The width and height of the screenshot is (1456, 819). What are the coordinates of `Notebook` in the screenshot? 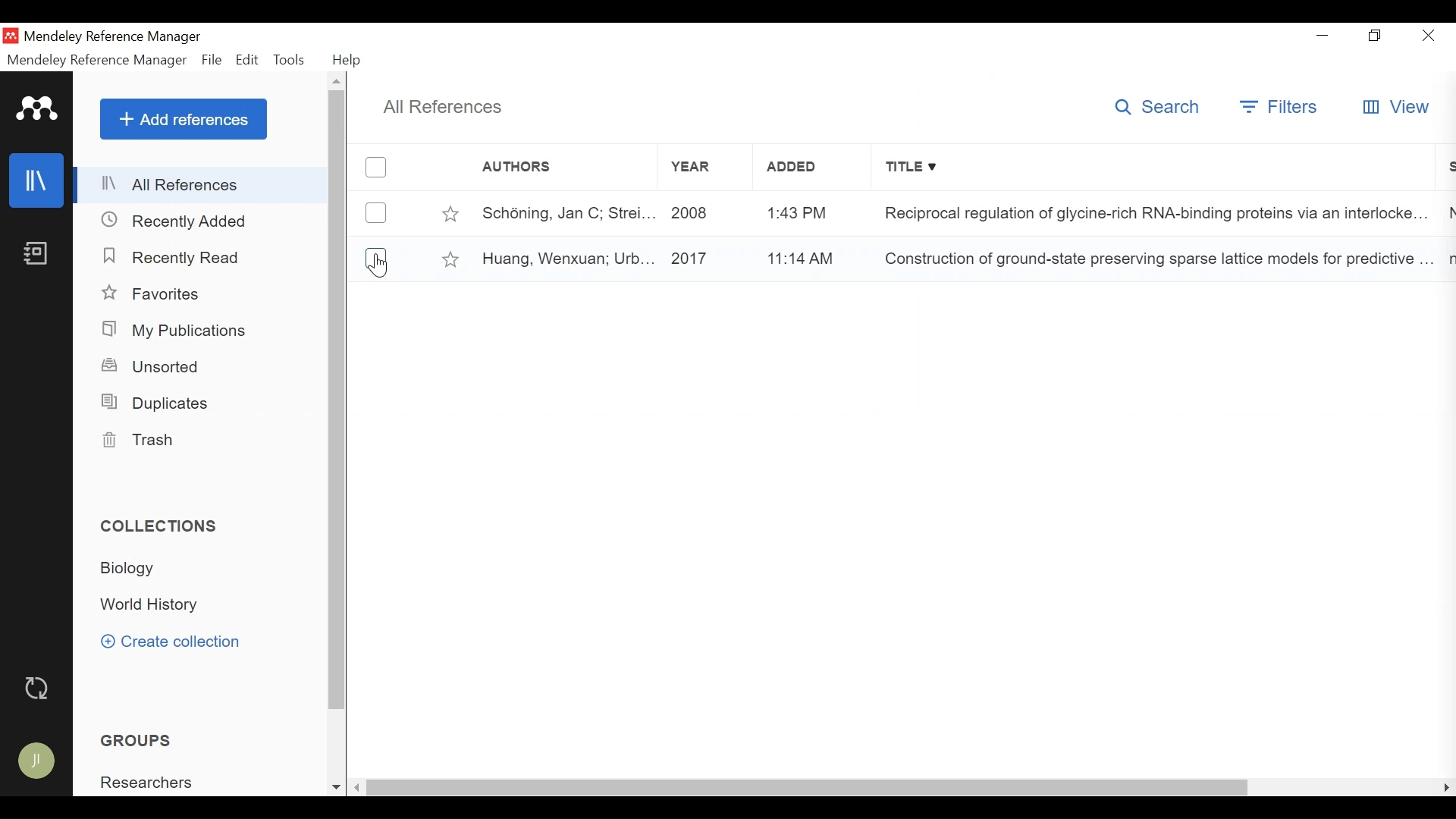 It's located at (38, 256).